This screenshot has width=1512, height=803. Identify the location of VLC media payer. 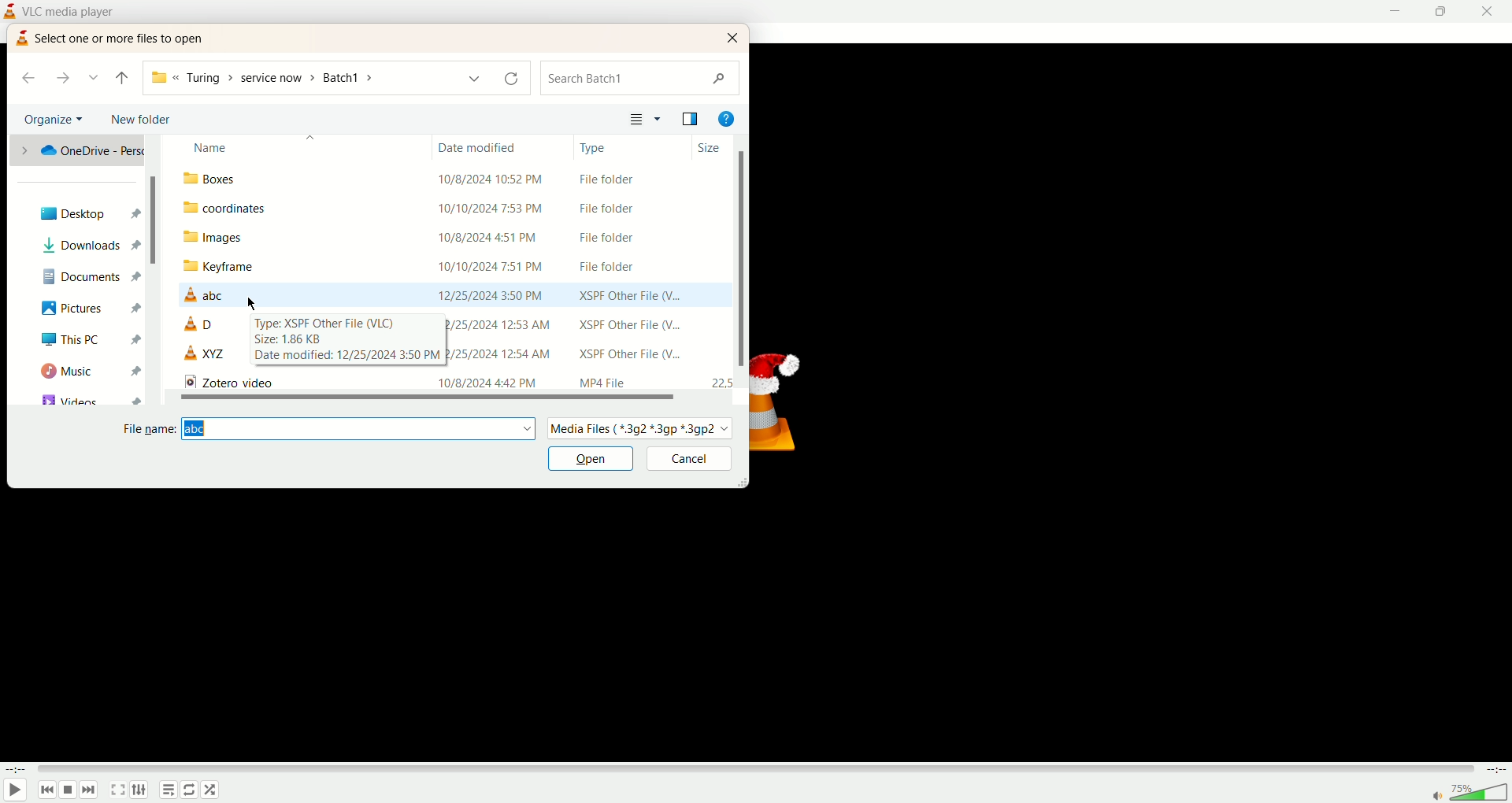
(73, 9).